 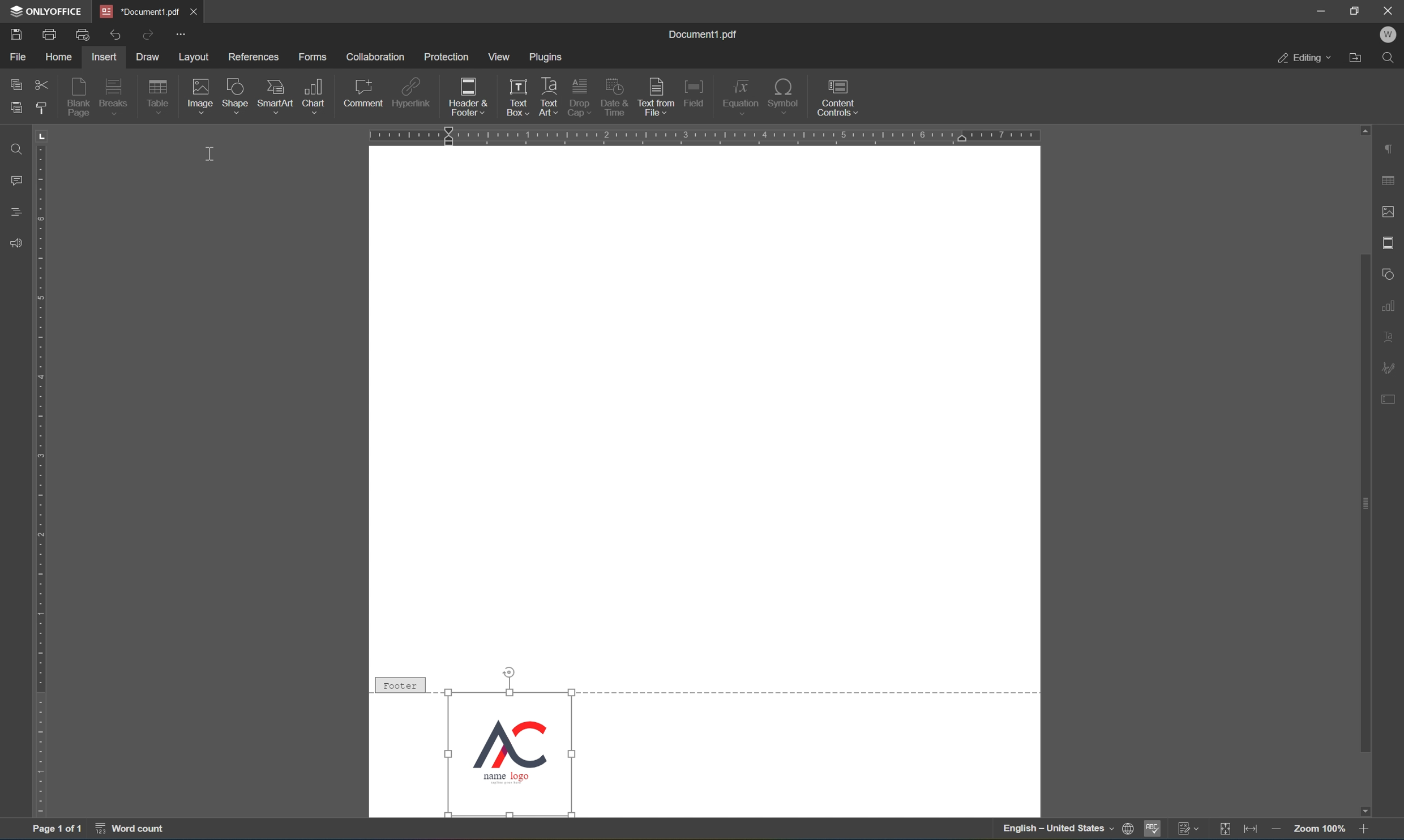 What do you see at coordinates (1066, 830) in the screenshot?
I see `English-United States` at bounding box center [1066, 830].